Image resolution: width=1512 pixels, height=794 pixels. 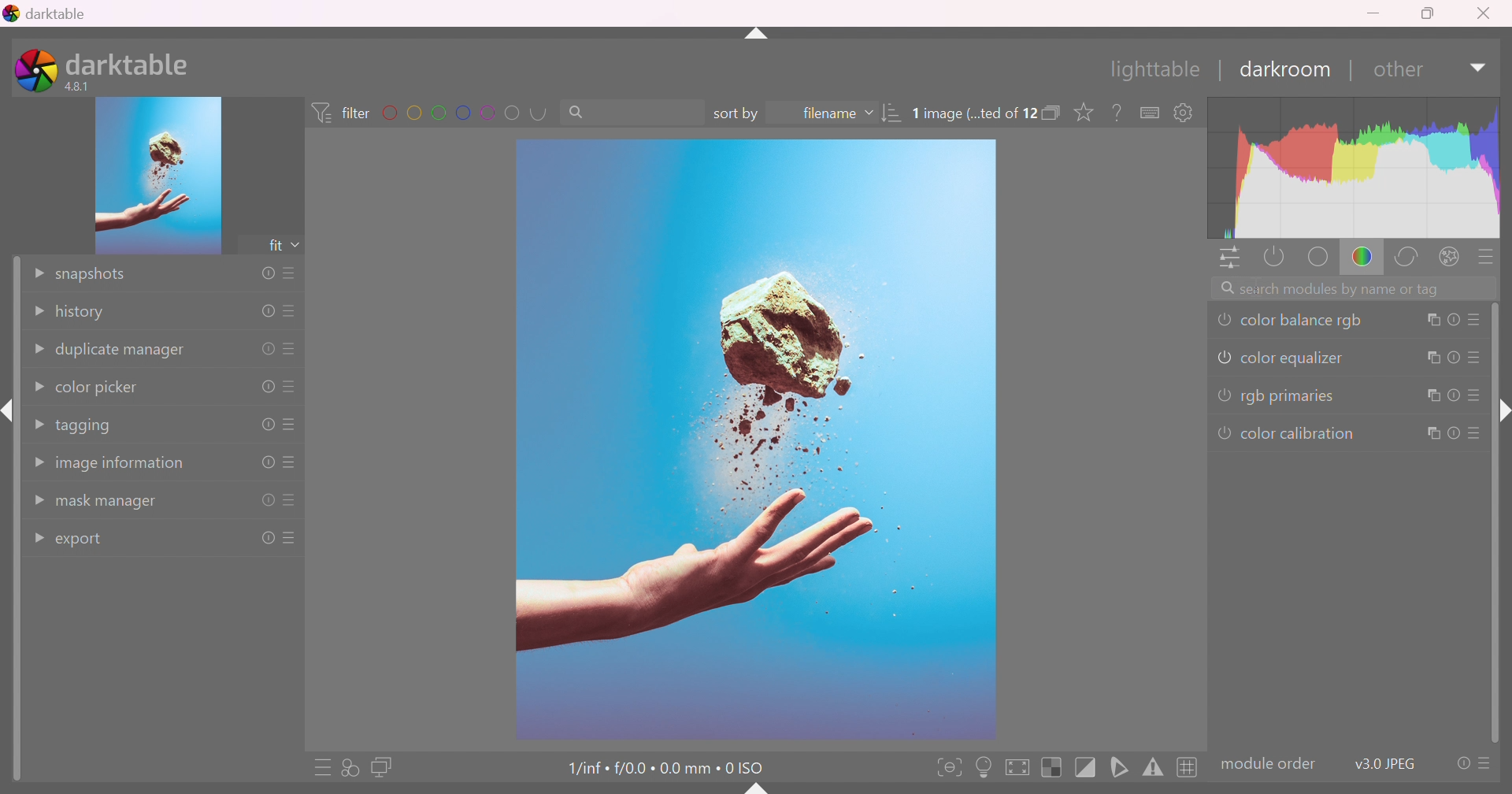 I want to click on presets, so click(x=1478, y=436).